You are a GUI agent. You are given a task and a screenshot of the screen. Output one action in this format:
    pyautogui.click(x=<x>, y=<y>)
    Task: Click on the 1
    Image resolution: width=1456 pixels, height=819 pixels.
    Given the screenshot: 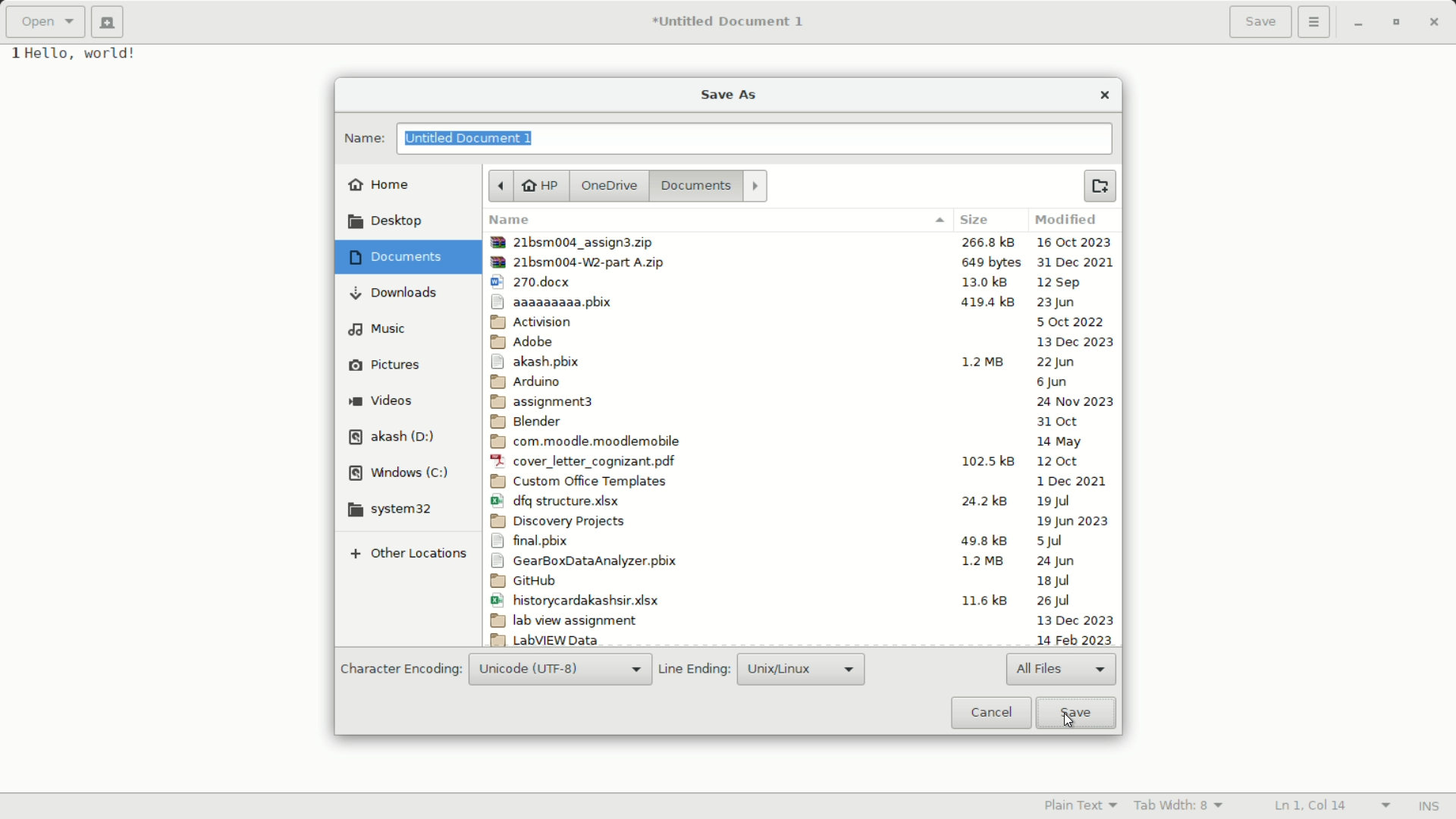 What is the action you would take?
    pyautogui.click(x=11, y=58)
    